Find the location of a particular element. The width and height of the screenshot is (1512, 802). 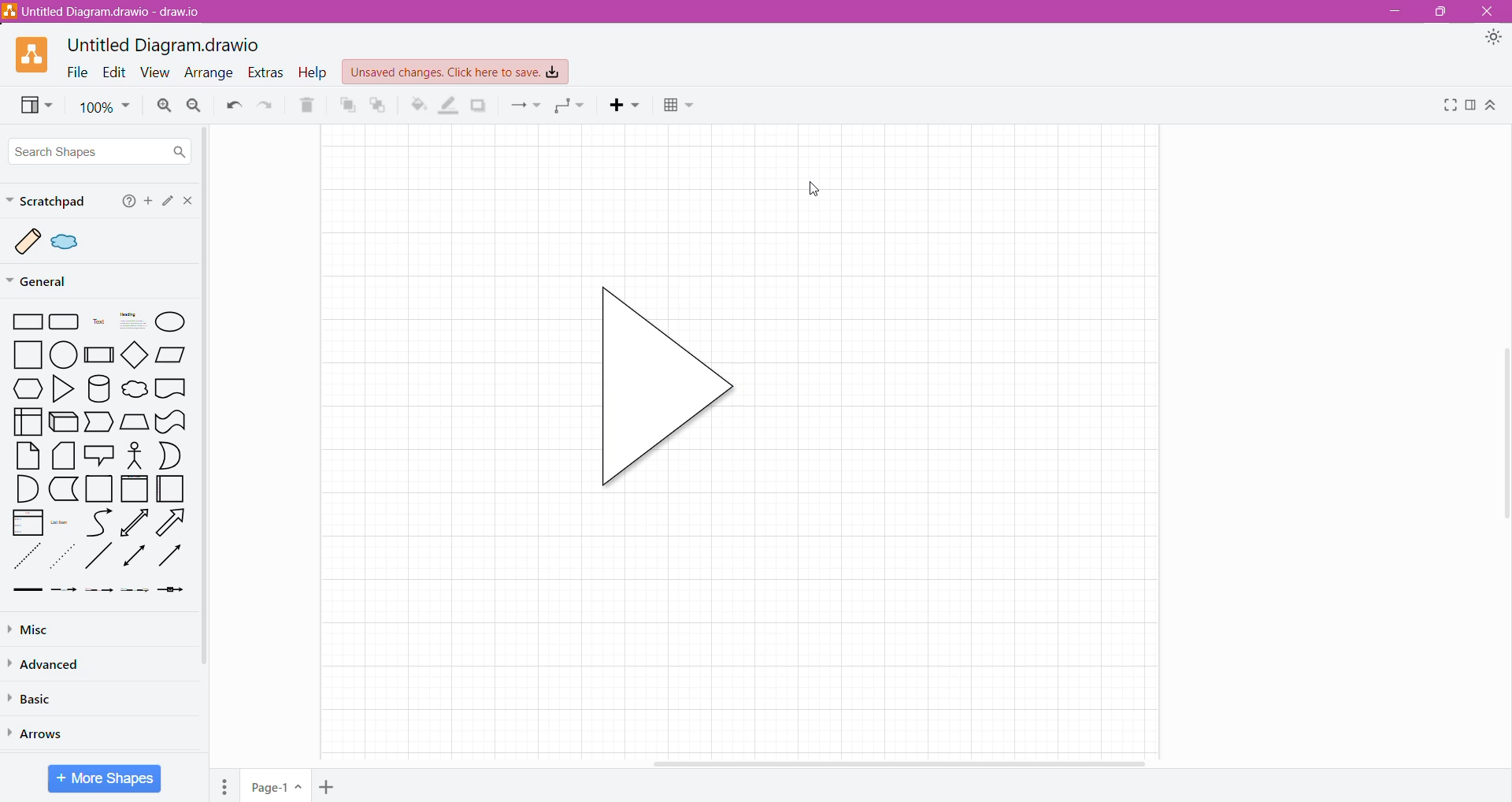

View is located at coordinates (156, 72).